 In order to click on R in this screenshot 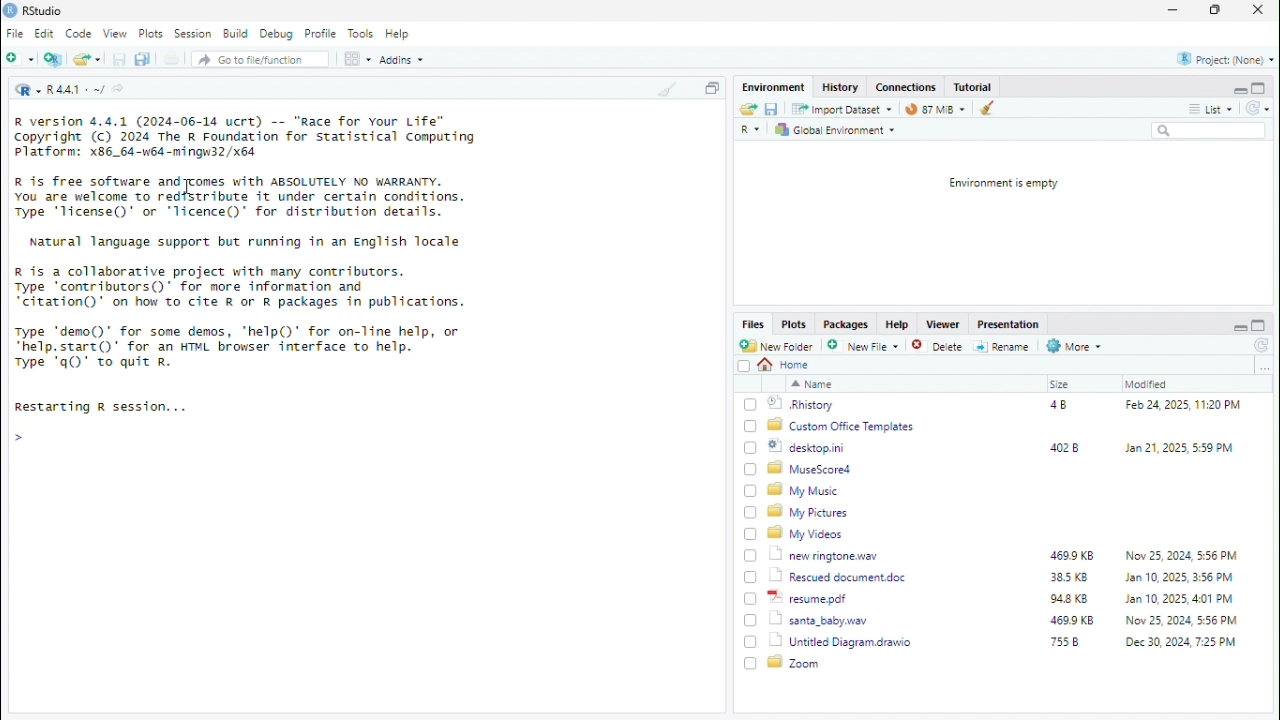, I will do `click(27, 89)`.